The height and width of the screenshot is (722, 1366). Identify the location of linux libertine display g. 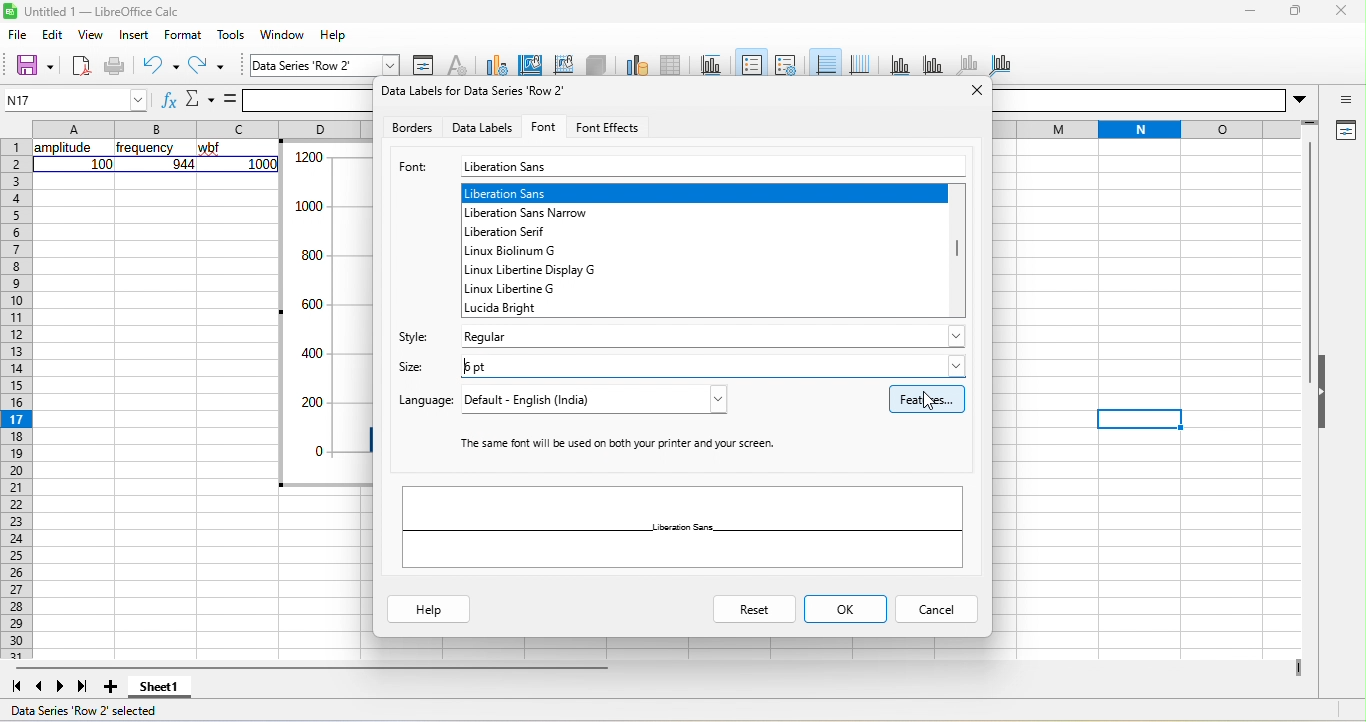
(533, 270).